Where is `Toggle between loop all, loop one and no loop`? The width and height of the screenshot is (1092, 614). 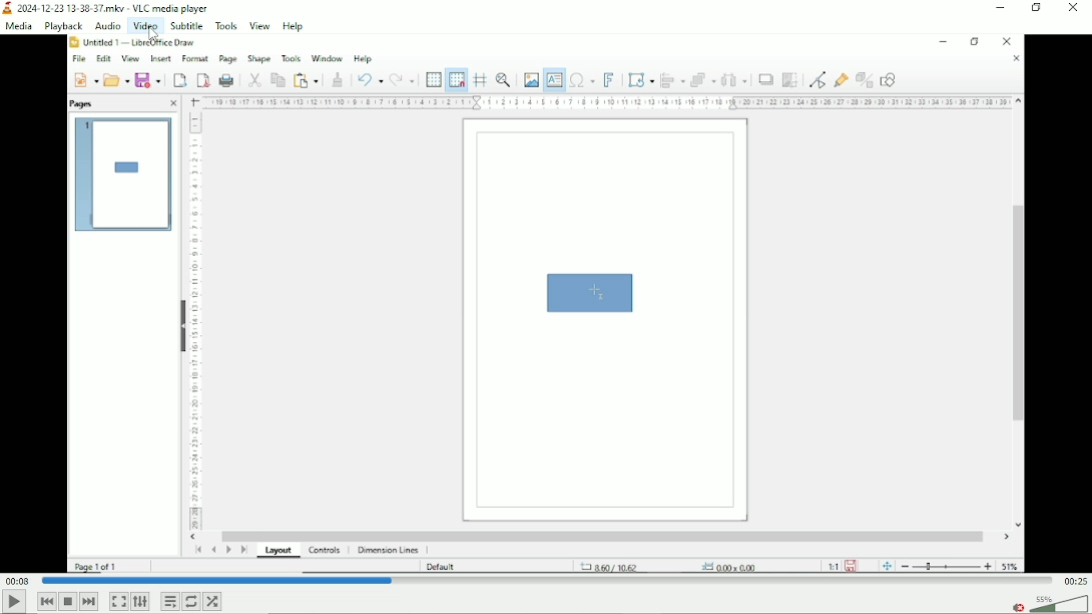
Toggle between loop all, loop one and no loop is located at coordinates (190, 602).